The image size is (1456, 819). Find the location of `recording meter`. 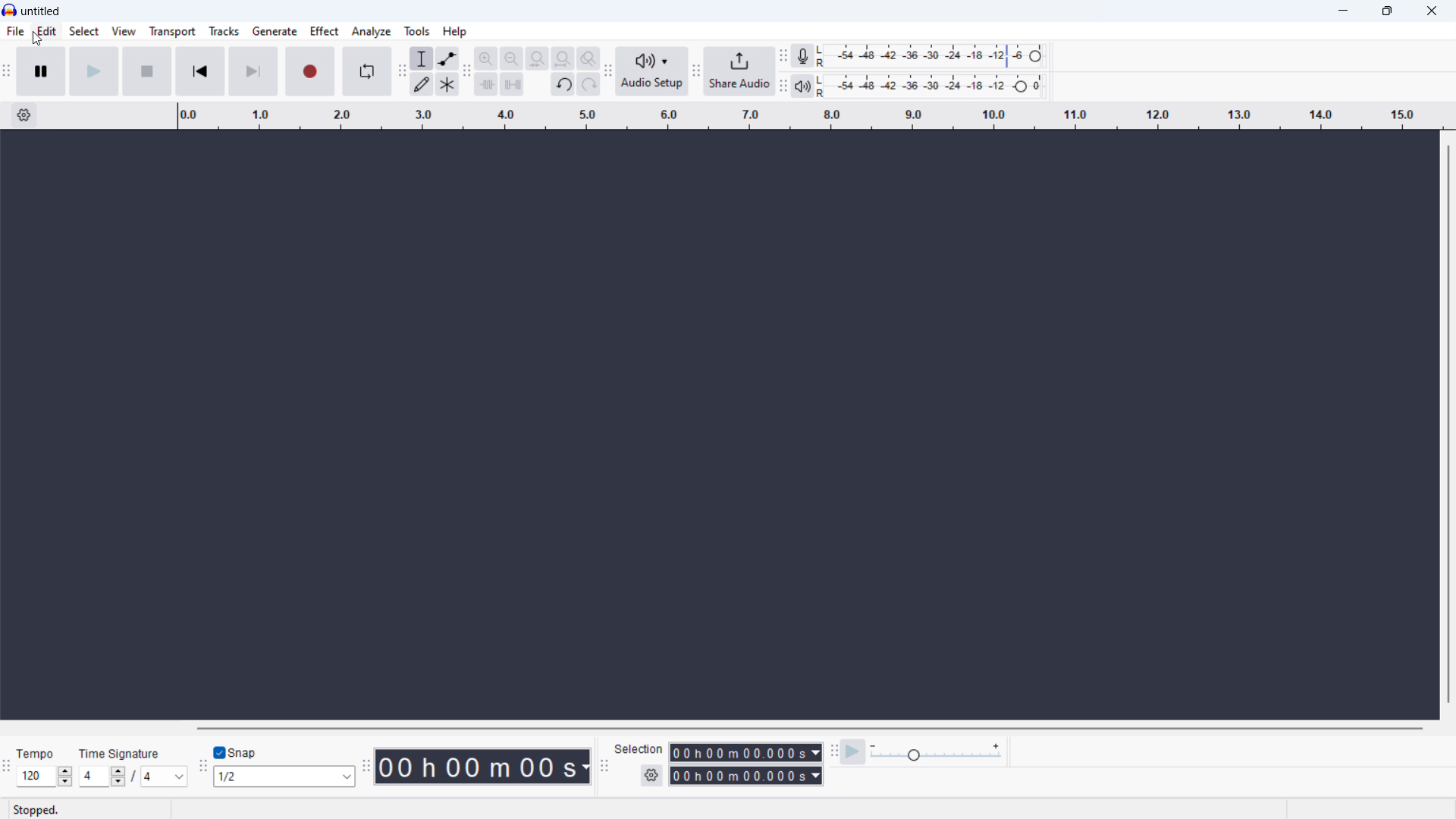

recording meter is located at coordinates (803, 56).